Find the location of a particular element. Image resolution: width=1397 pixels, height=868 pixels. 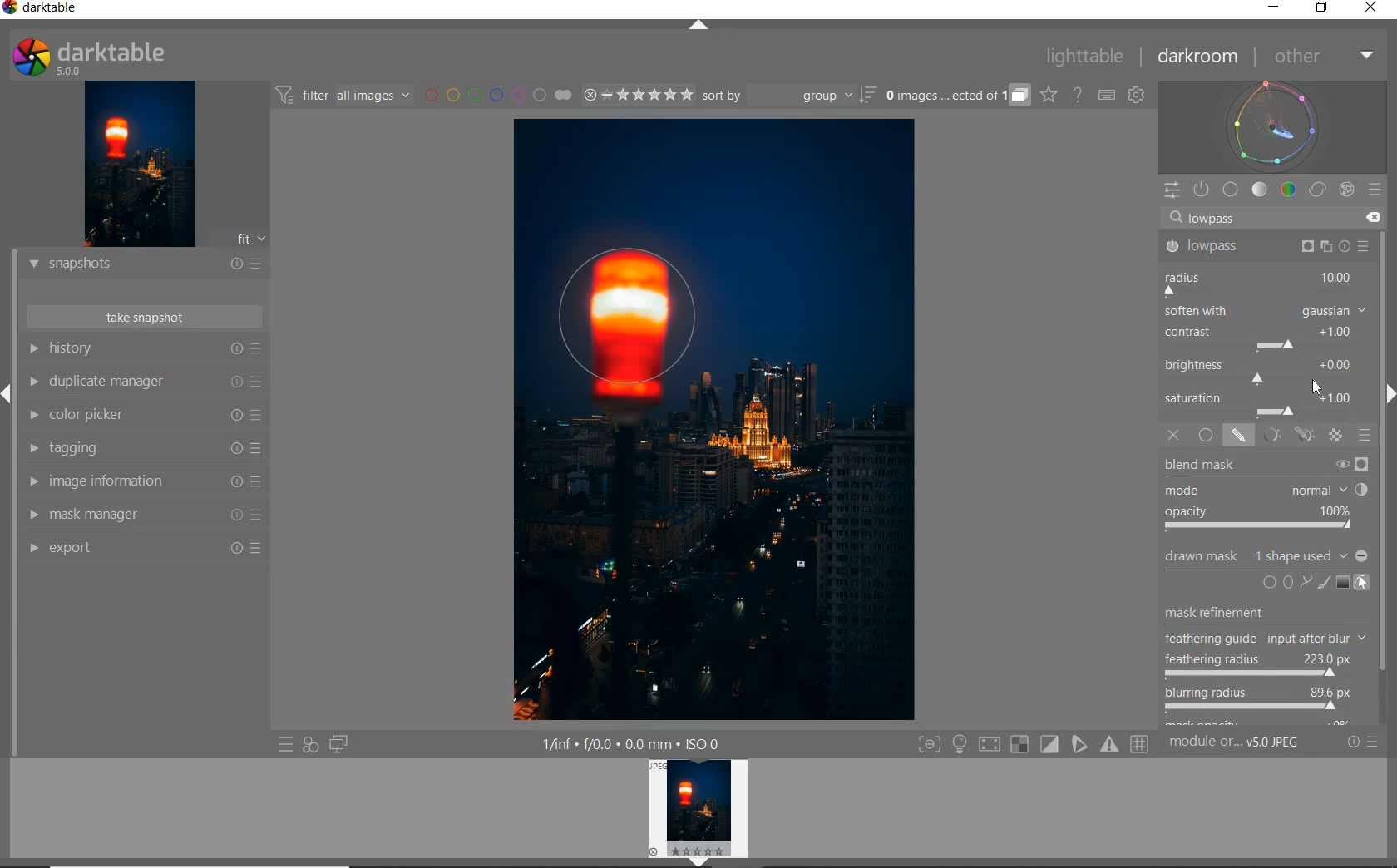

MASK OPTIONS is located at coordinates (1286, 436).